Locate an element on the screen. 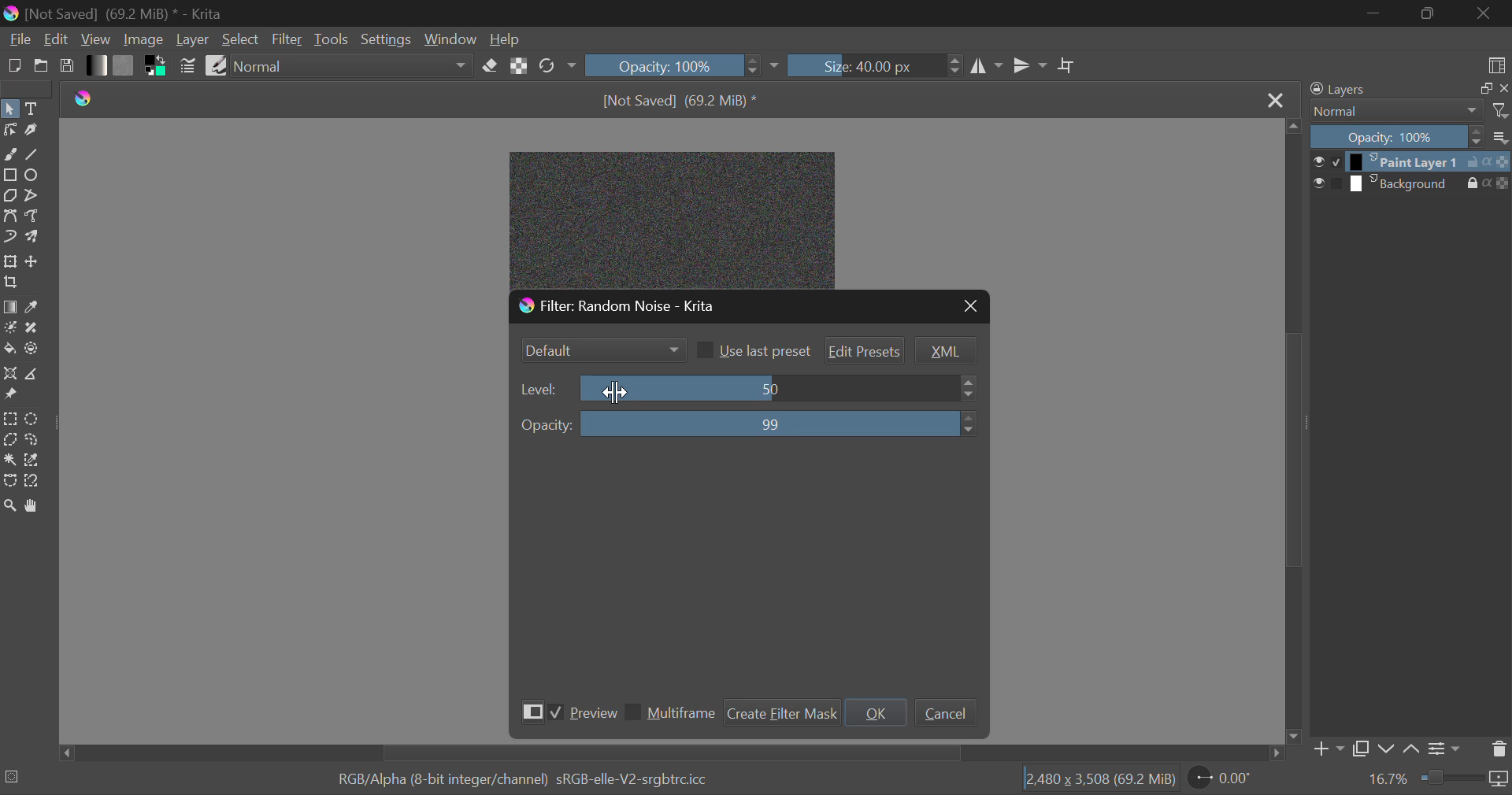 Image resolution: width=1512 pixels, height=795 pixels. Rotate Image is located at coordinates (556, 66).